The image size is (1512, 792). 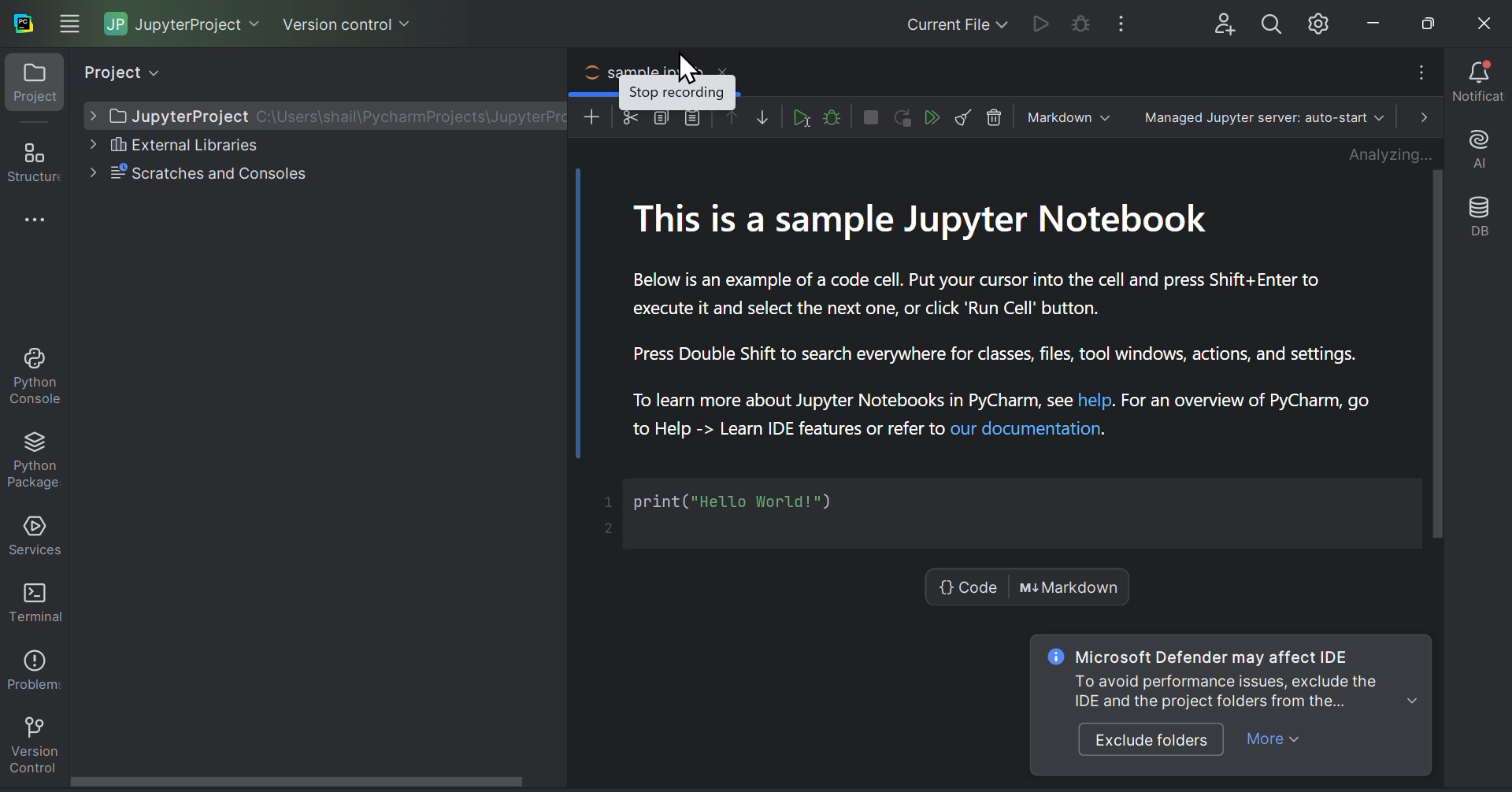 I want to click on Problems, so click(x=31, y=664).